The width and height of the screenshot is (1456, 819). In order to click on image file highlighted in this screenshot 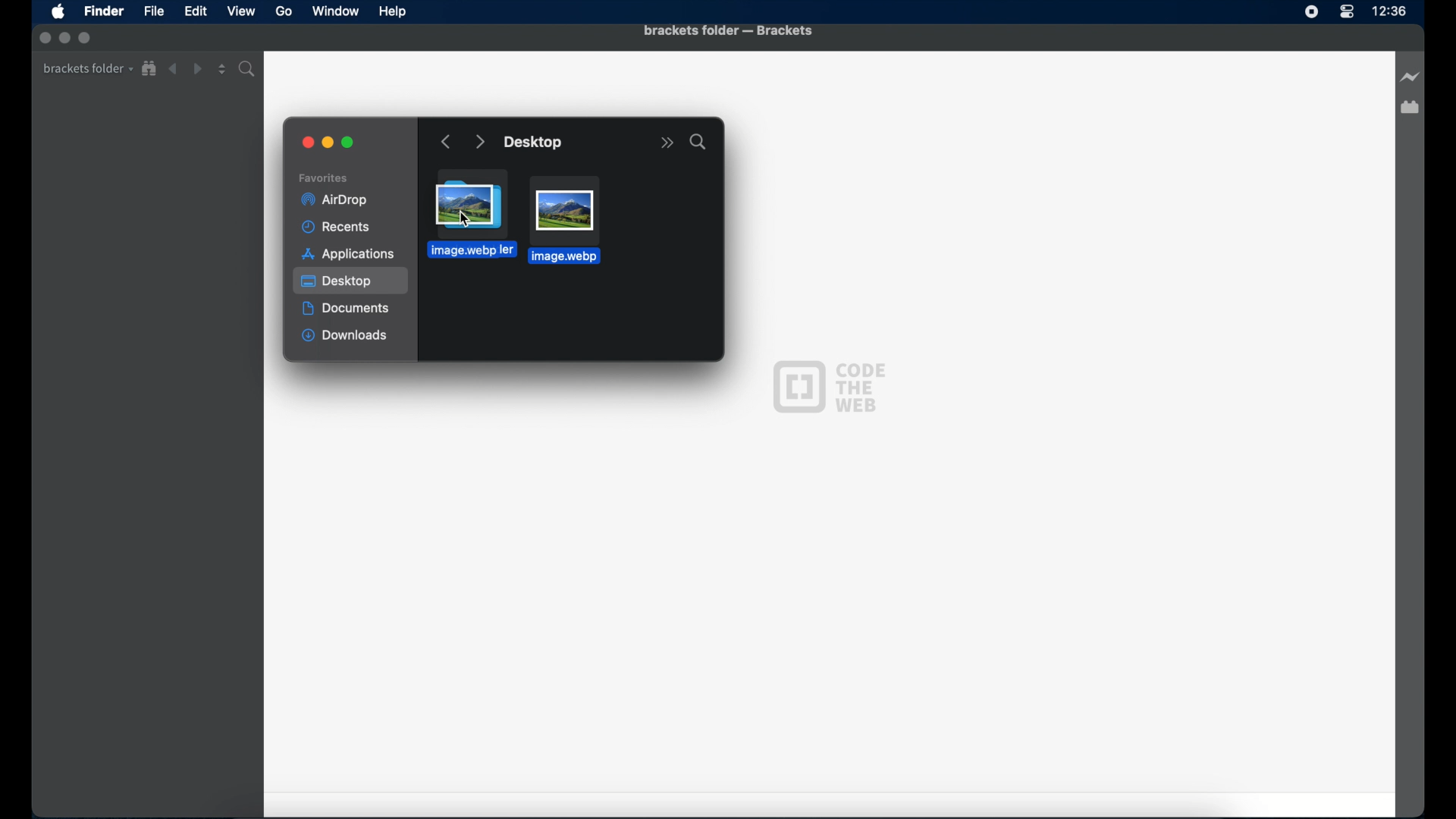, I will do `click(564, 220)`.